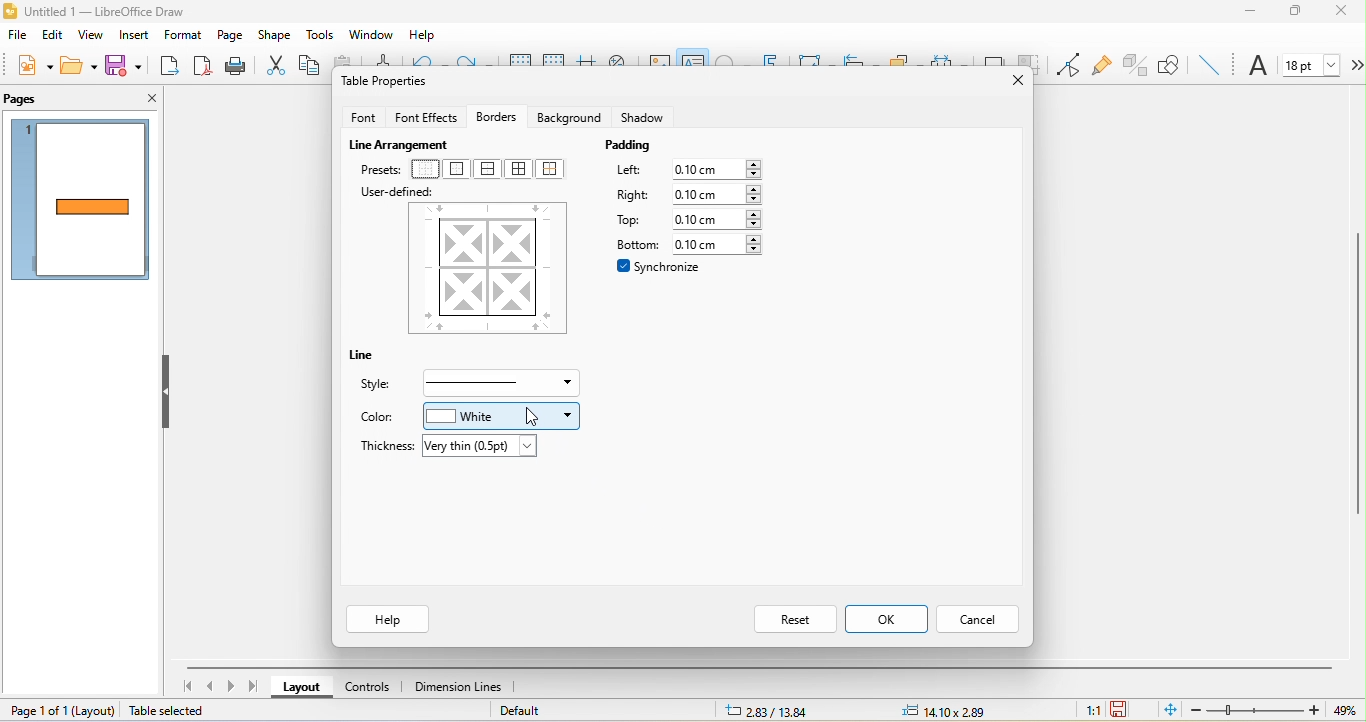 This screenshot has width=1366, height=722. What do you see at coordinates (1132, 709) in the screenshot?
I see `the document has not been modified since the last save` at bounding box center [1132, 709].